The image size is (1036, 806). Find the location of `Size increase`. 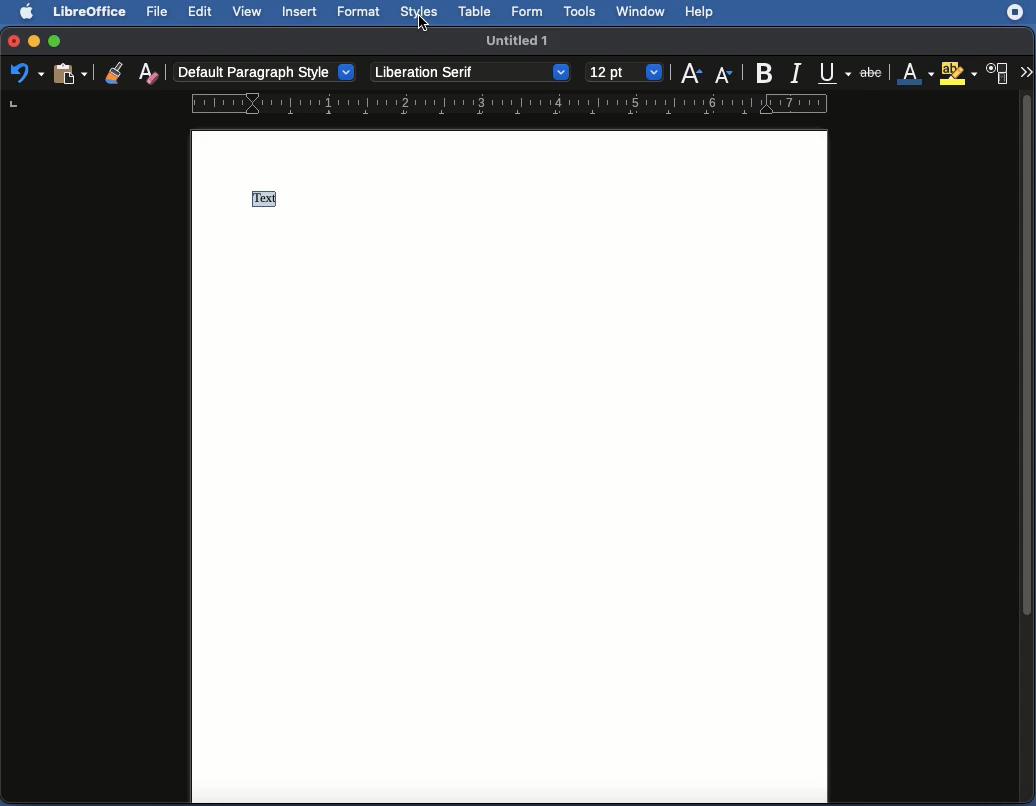

Size increase is located at coordinates (693, 73).